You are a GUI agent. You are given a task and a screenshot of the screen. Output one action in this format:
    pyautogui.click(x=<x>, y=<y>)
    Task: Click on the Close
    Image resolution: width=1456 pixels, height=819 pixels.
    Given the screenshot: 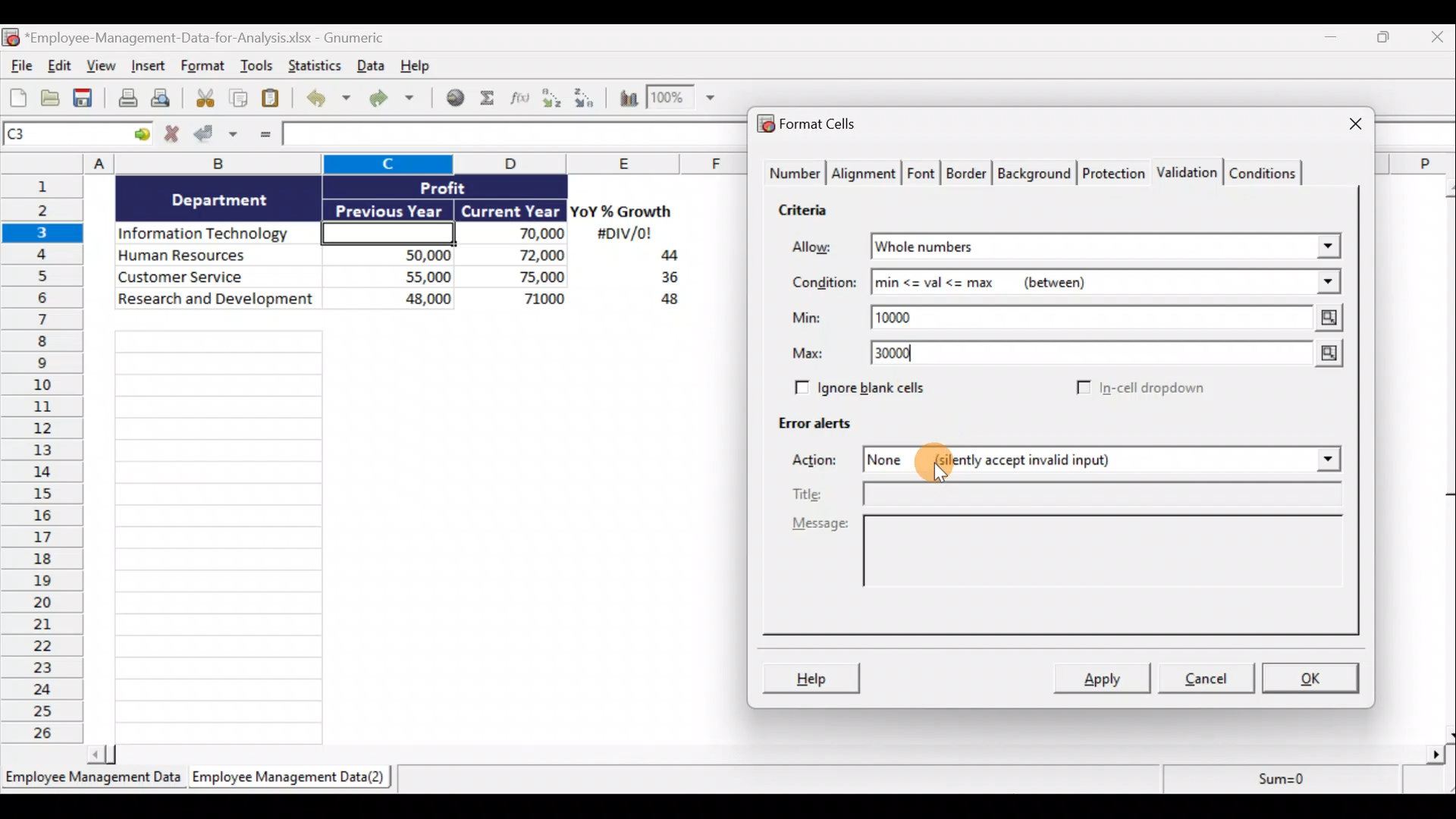 What is the action you would take?
    pyautogui.click(x=1434, y=40)
    